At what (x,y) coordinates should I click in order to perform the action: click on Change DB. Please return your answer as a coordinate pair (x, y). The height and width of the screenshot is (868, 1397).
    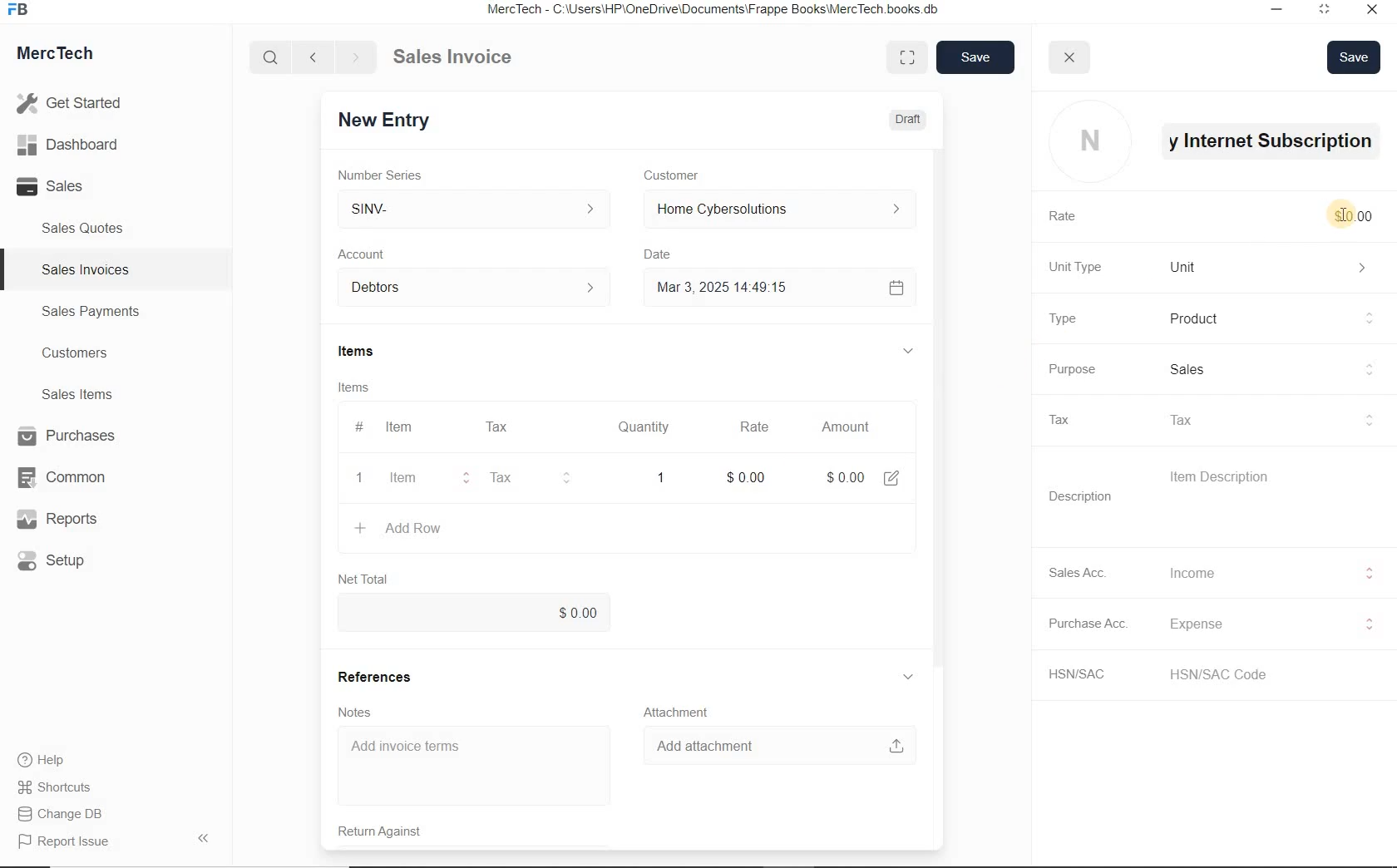
    Looking at the image, I should click on (62, 814).